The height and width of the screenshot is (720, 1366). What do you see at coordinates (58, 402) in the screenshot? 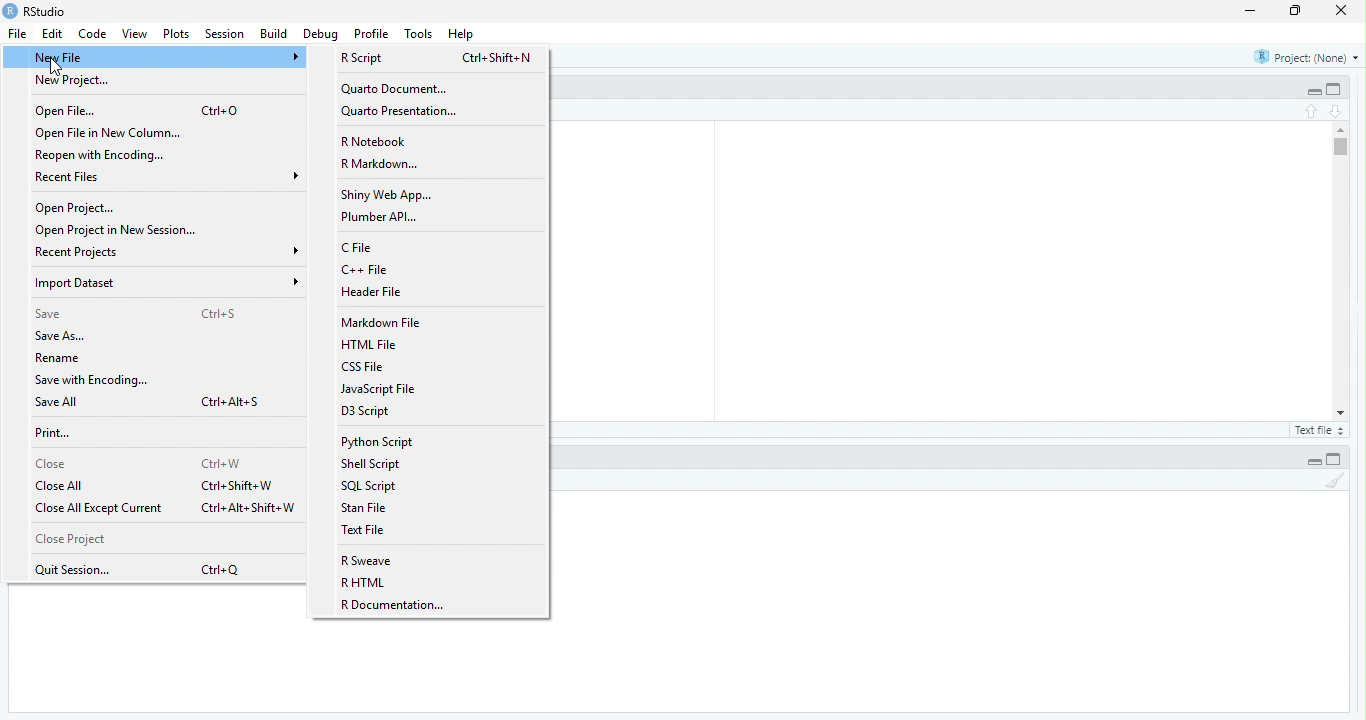
I see `Save All` at bounding box center [58, 402].